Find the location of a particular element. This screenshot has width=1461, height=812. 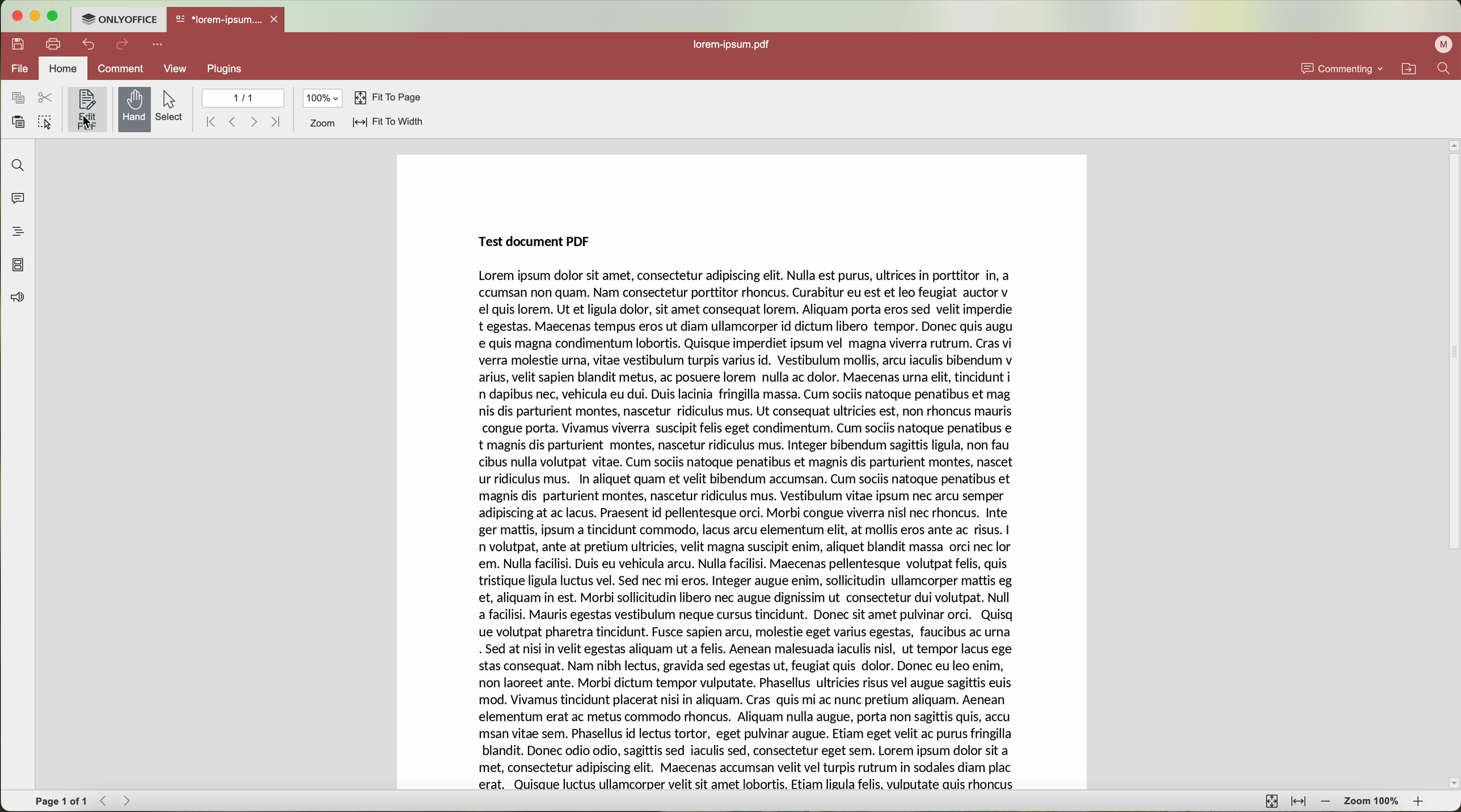

fit to page is located at coordinates (389, 98).